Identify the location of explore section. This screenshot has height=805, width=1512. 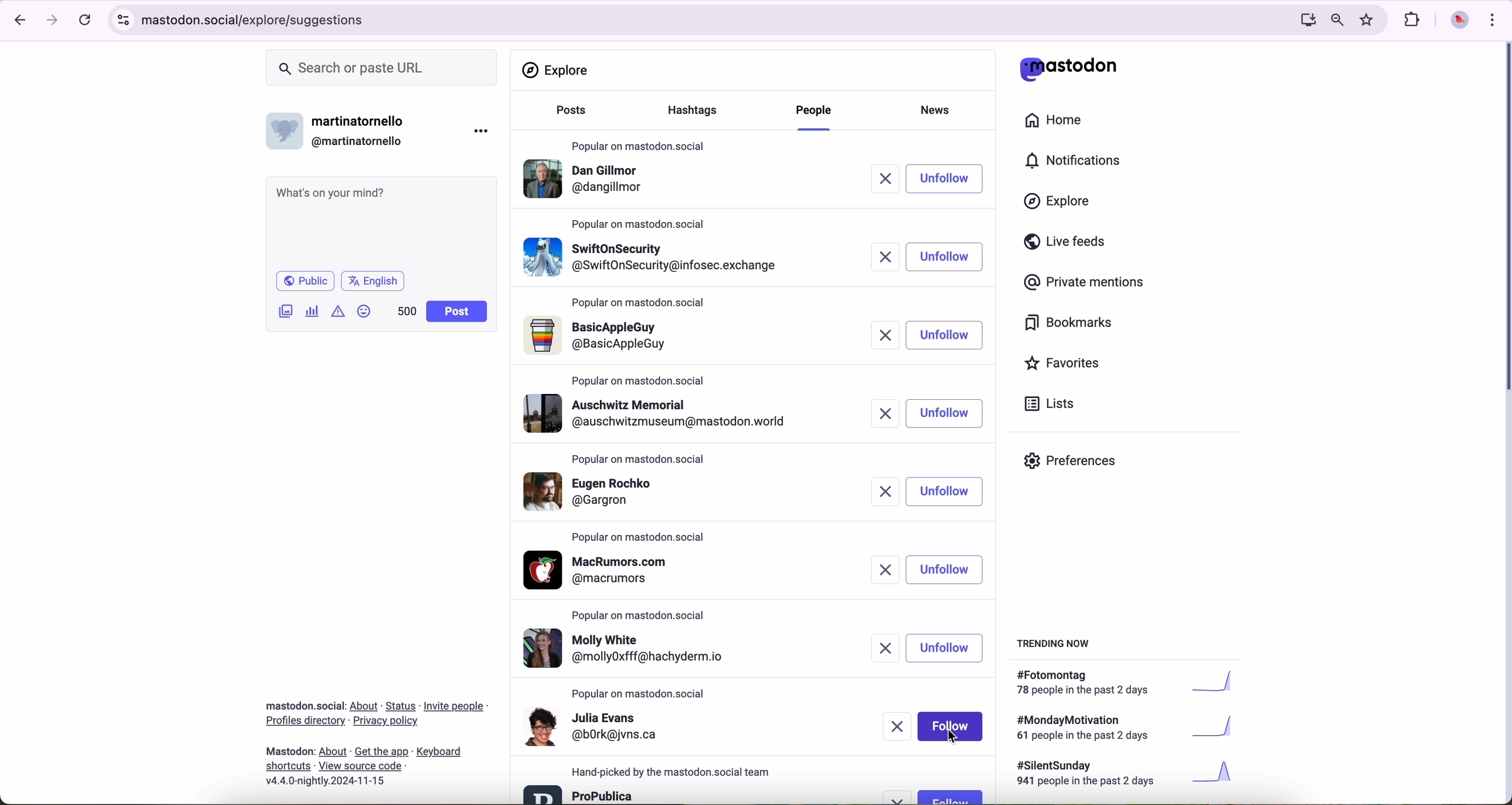
(558, 70).